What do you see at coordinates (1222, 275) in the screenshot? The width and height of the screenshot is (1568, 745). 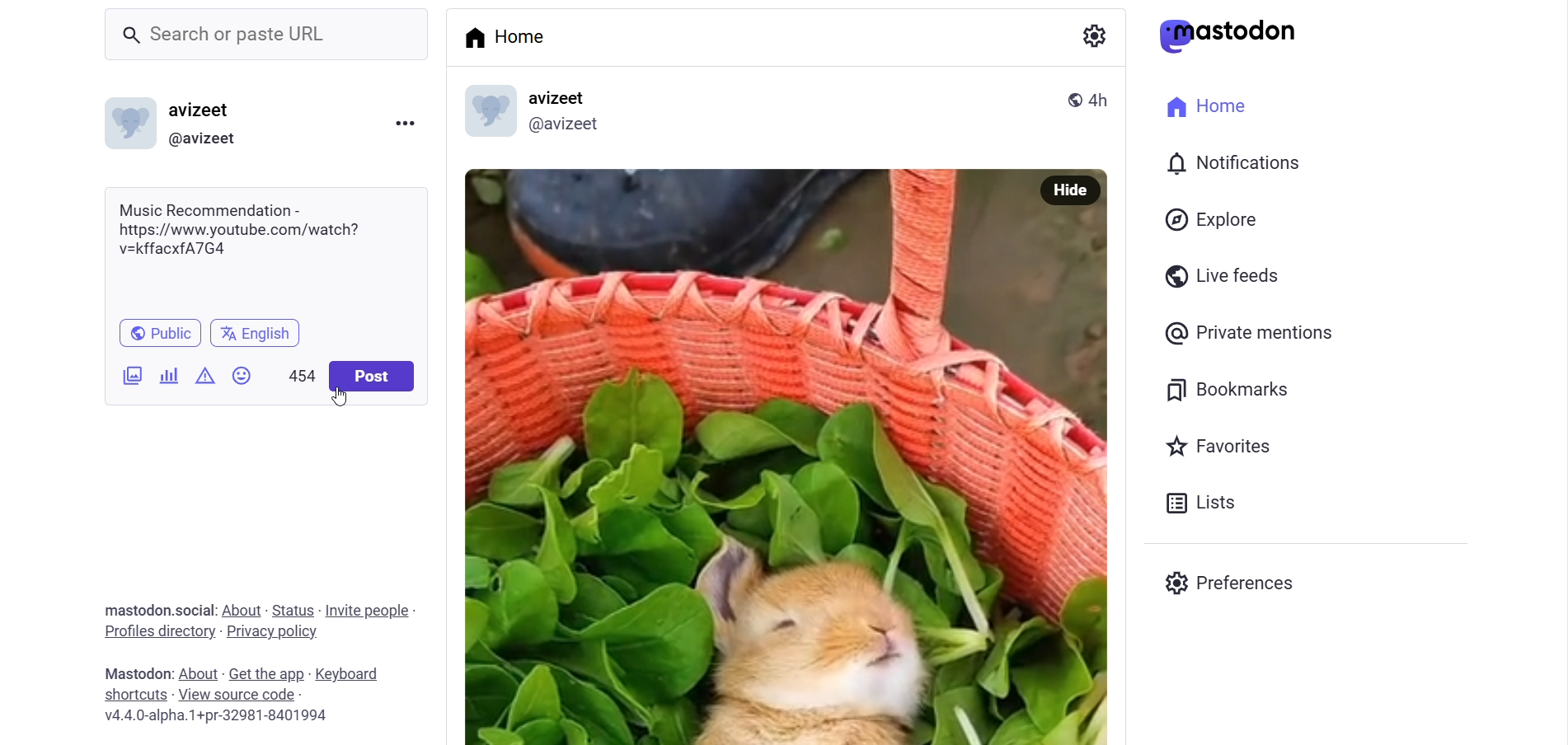 I see `Live Feeds` at bounding box center [1222, 275].